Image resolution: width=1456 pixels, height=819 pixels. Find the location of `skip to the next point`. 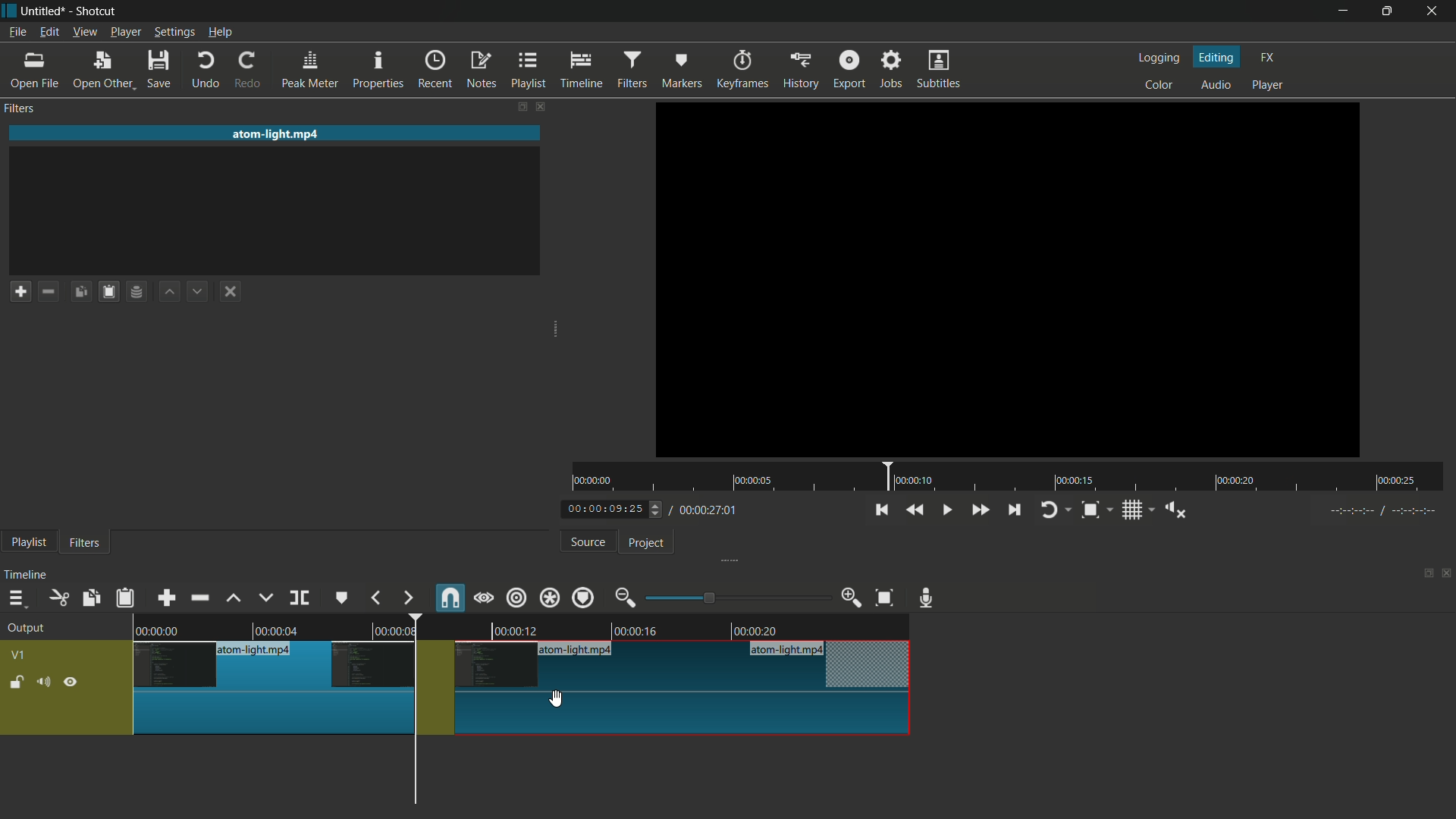

skip to the next point is located at coordinates (1016, 511).